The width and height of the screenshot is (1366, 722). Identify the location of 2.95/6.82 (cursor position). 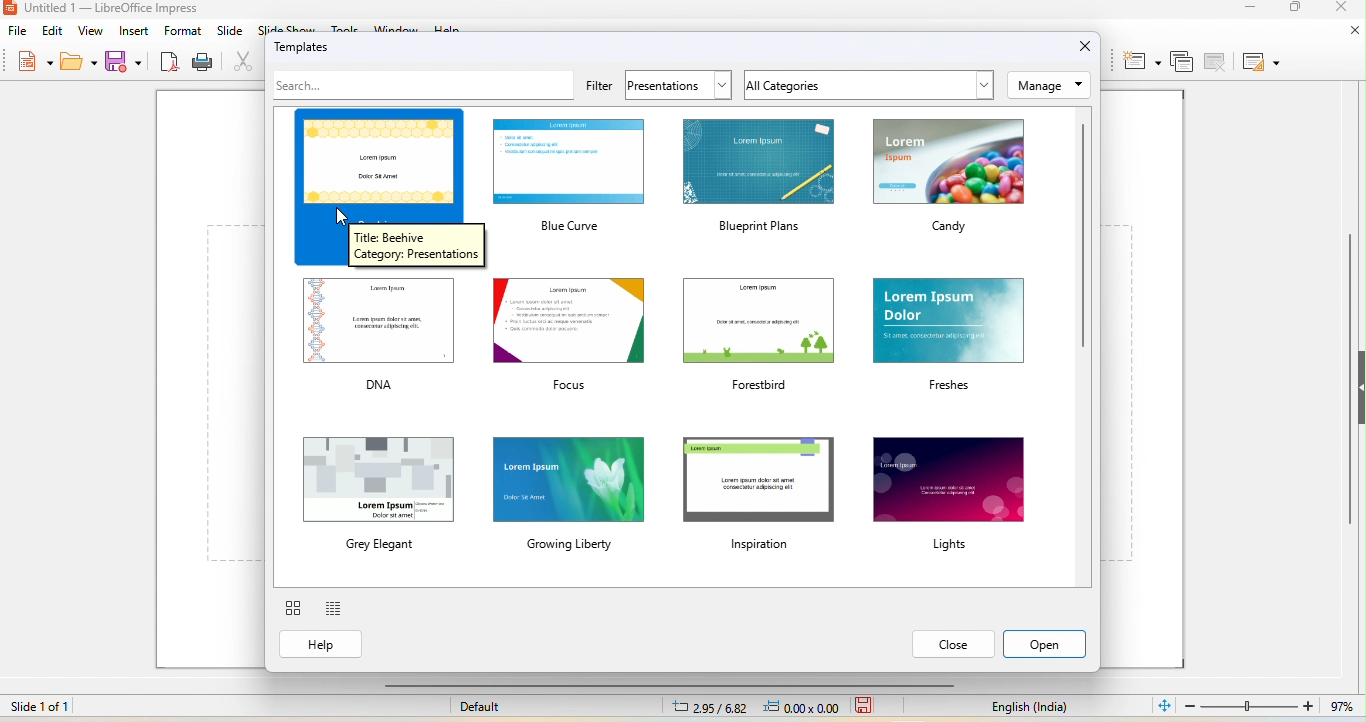
(709, 708).